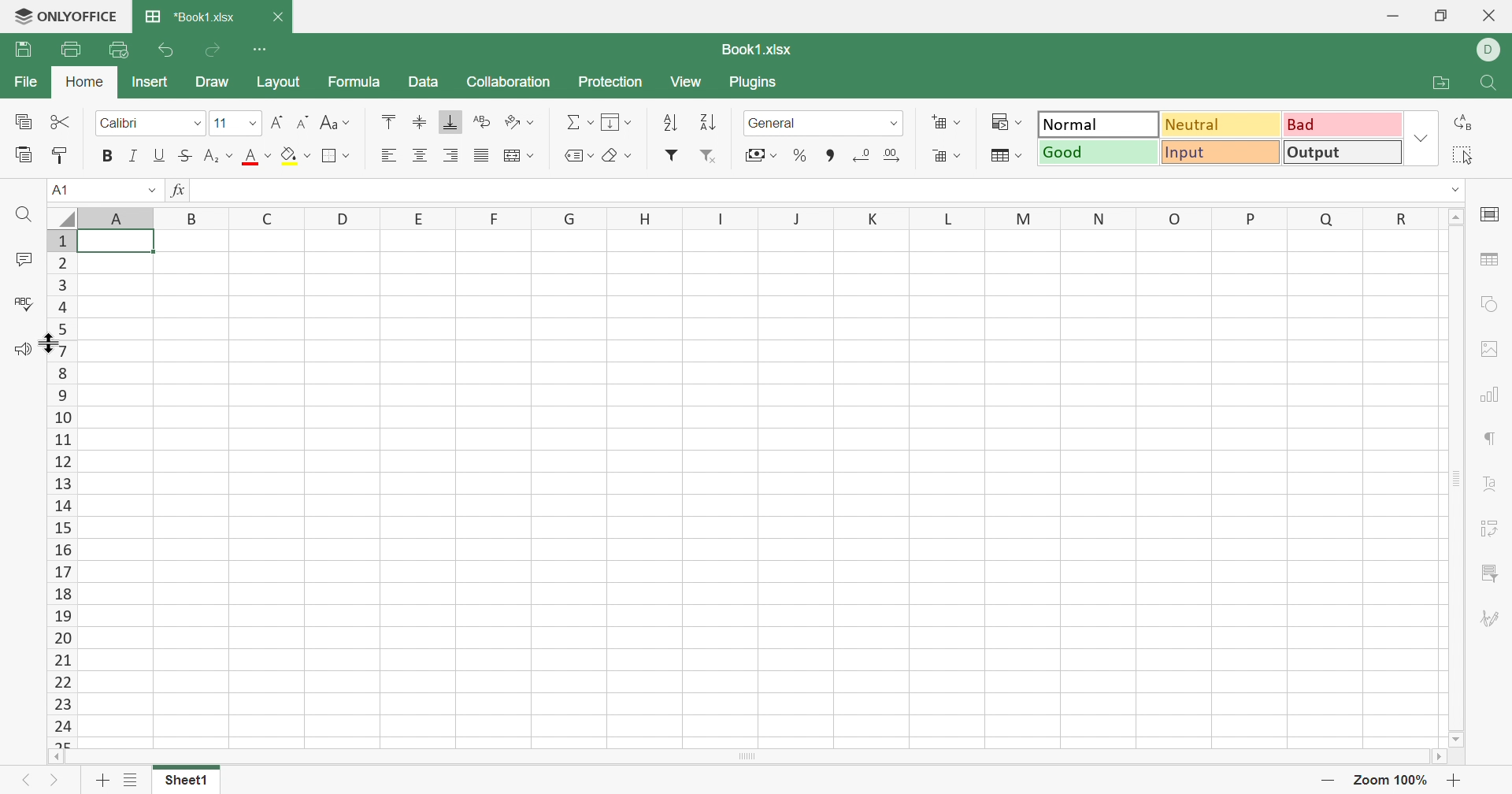  Describe the element at coordinates (1459, 740) in the screenshot. I see `Scroll Down` at that location.